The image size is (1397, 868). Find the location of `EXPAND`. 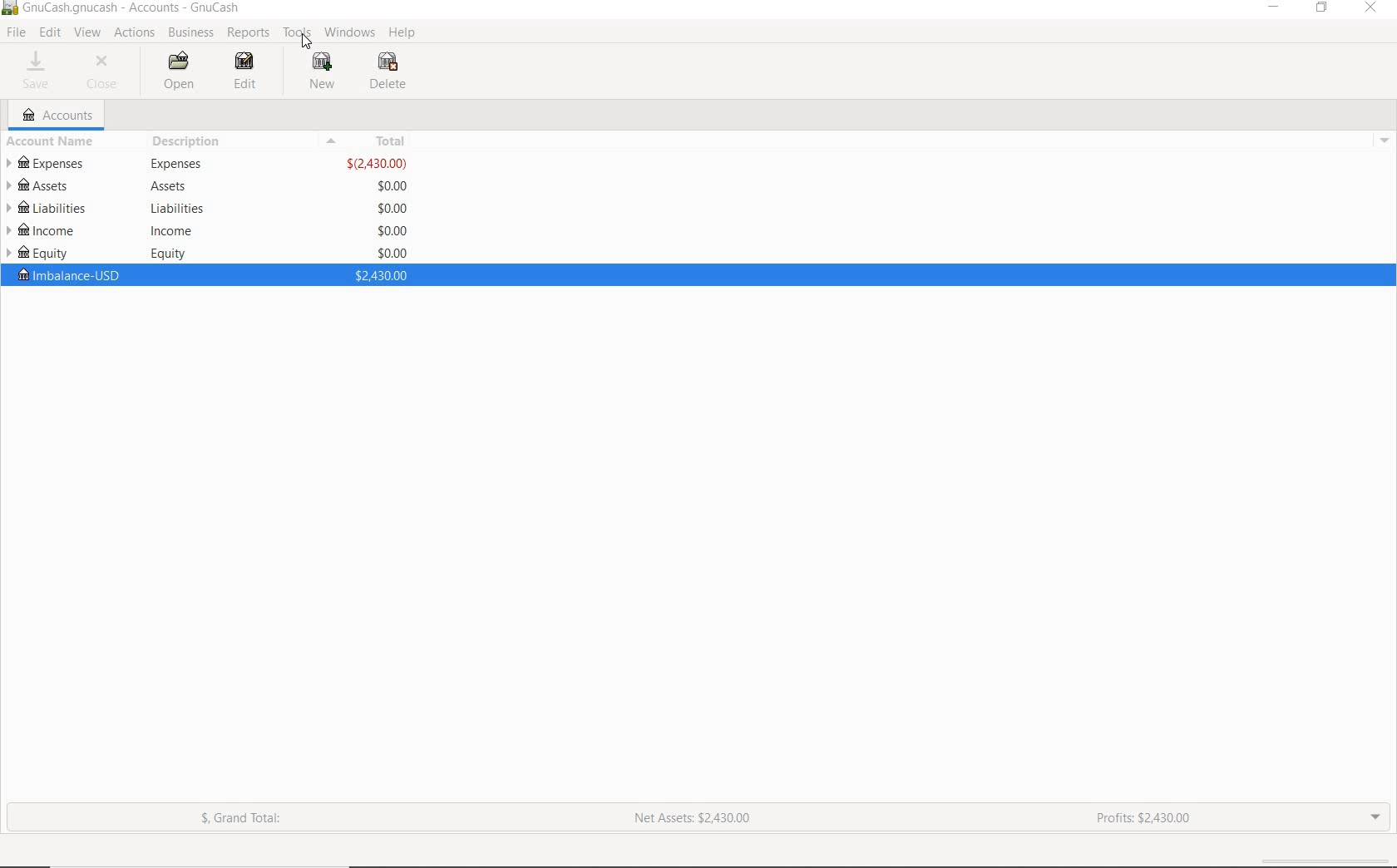

EXPAND is located at coordinates (1375, 821).